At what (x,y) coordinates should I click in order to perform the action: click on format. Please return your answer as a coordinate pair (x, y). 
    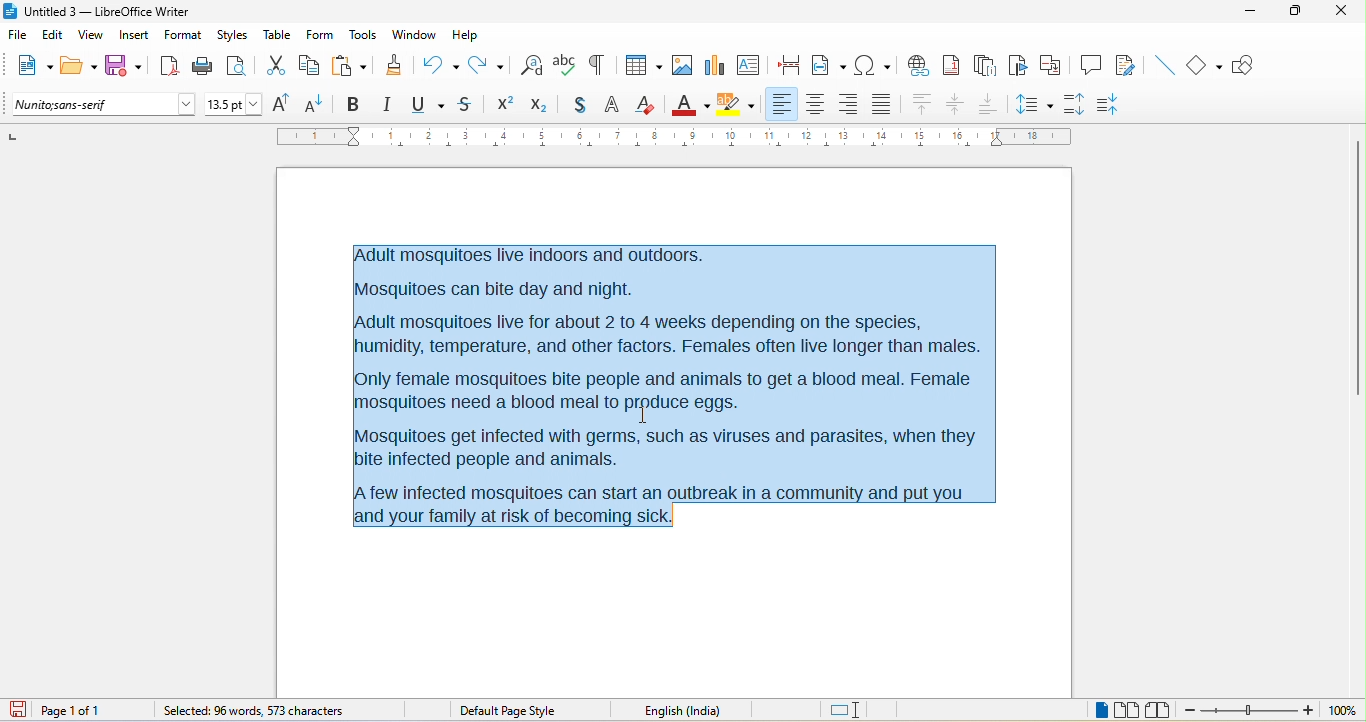
    Looking at the image, I should click on (184, 36).